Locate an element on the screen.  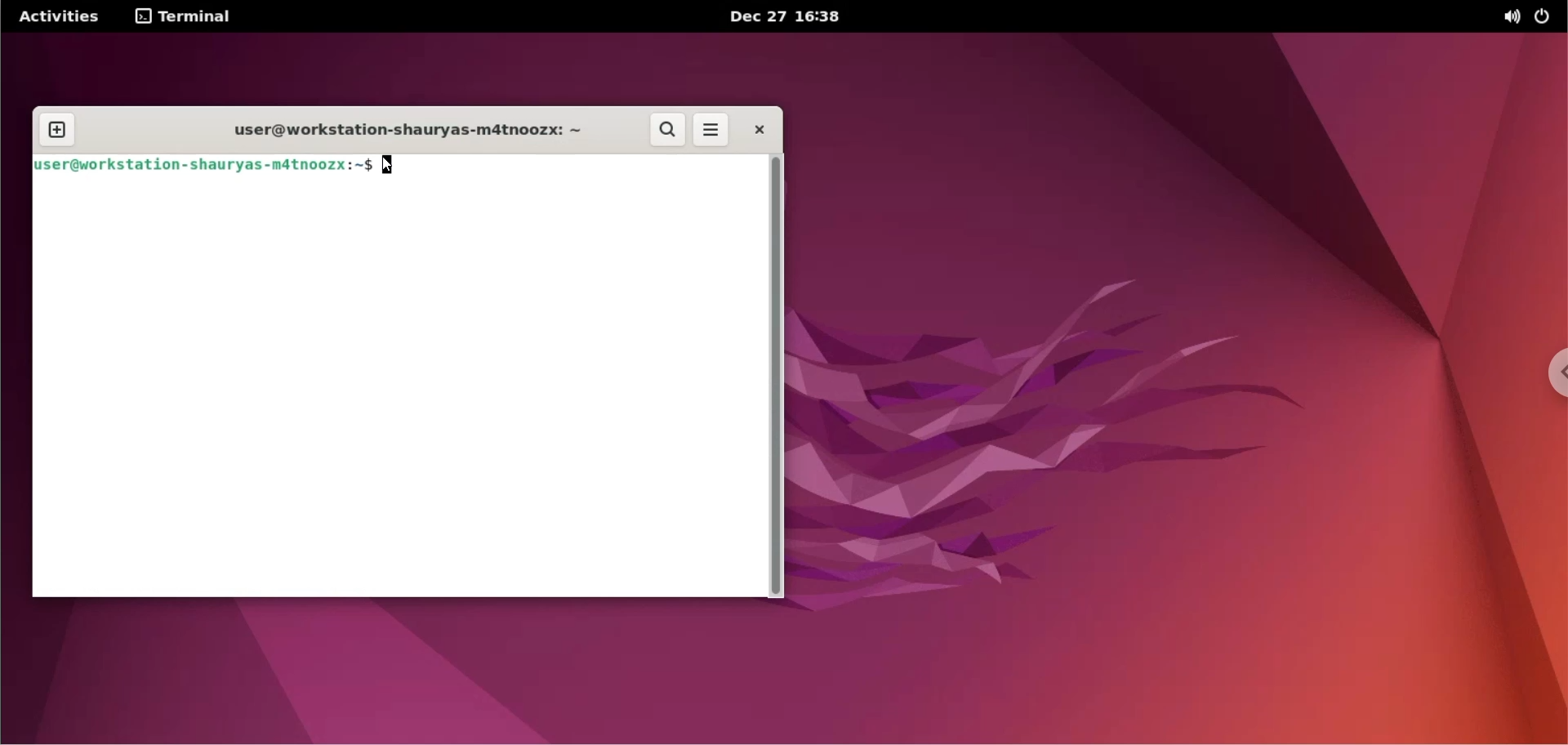
power is located at coordinates (1546, 16).